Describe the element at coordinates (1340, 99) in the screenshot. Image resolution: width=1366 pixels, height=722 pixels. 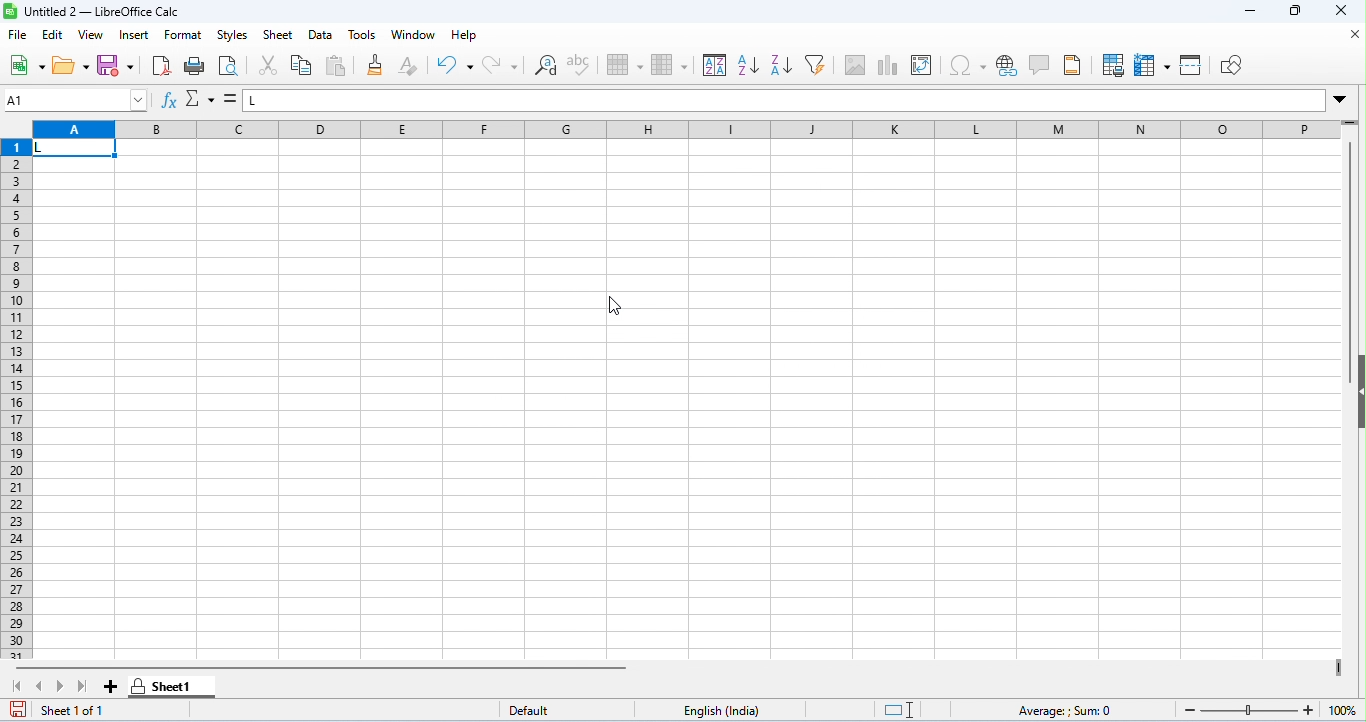
I see `drop down` at that location.